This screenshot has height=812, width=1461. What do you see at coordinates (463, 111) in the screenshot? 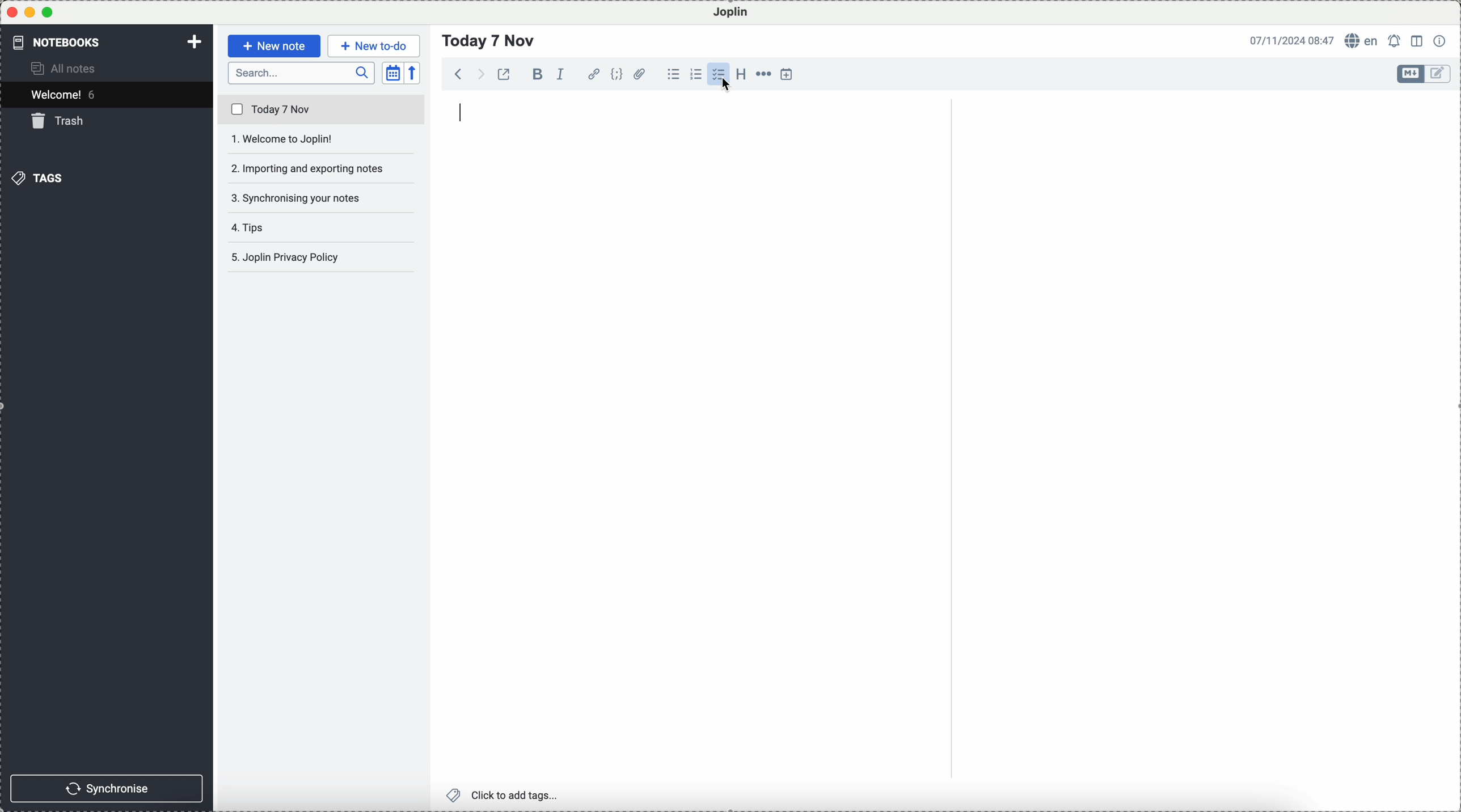
I see `typing` at bounding box center [463, 111].